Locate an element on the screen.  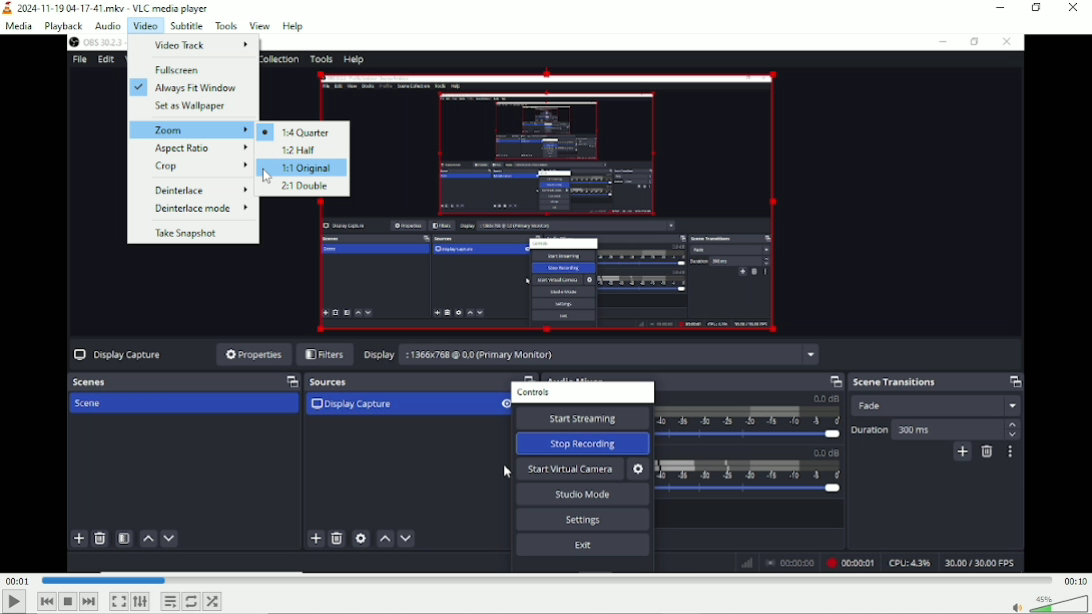
Random is located at coordinates (213, 600).